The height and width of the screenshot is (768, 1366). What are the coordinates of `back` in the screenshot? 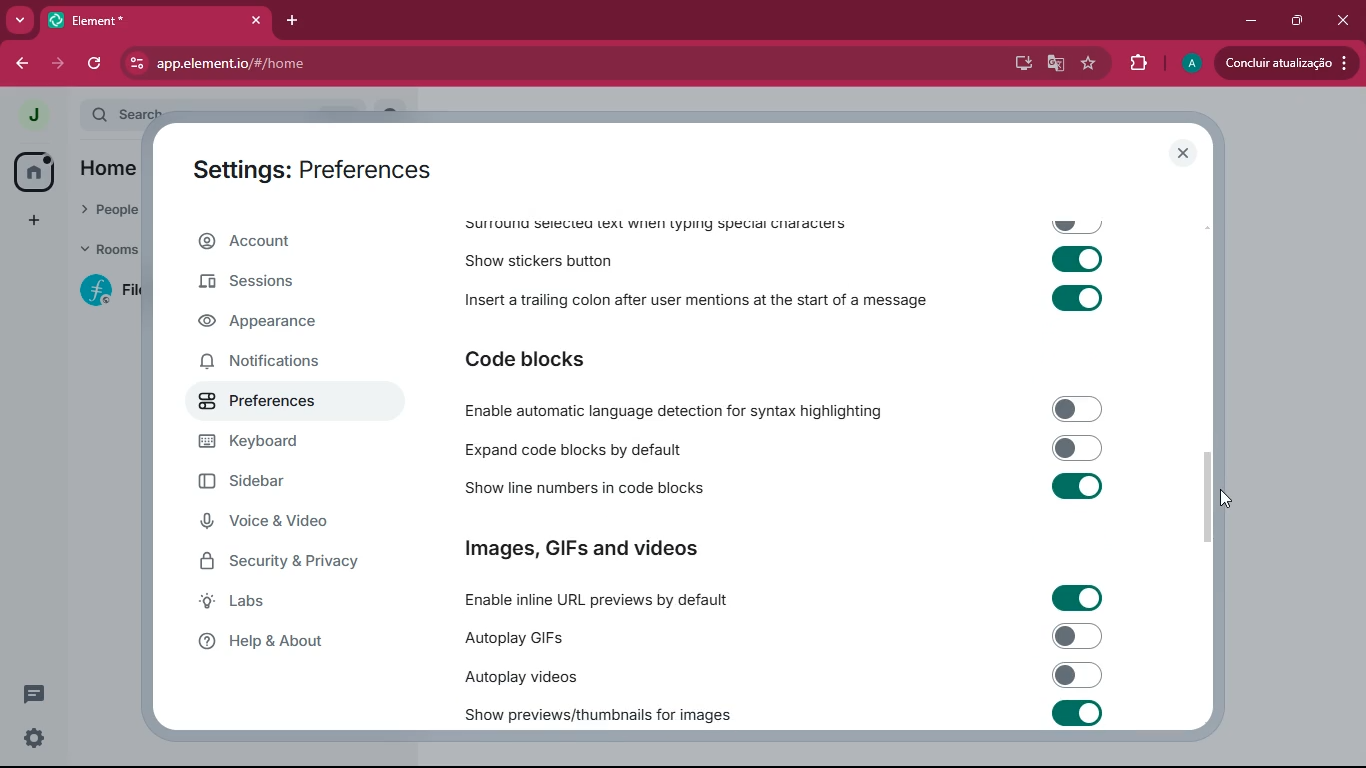 It's located at (21, 65).